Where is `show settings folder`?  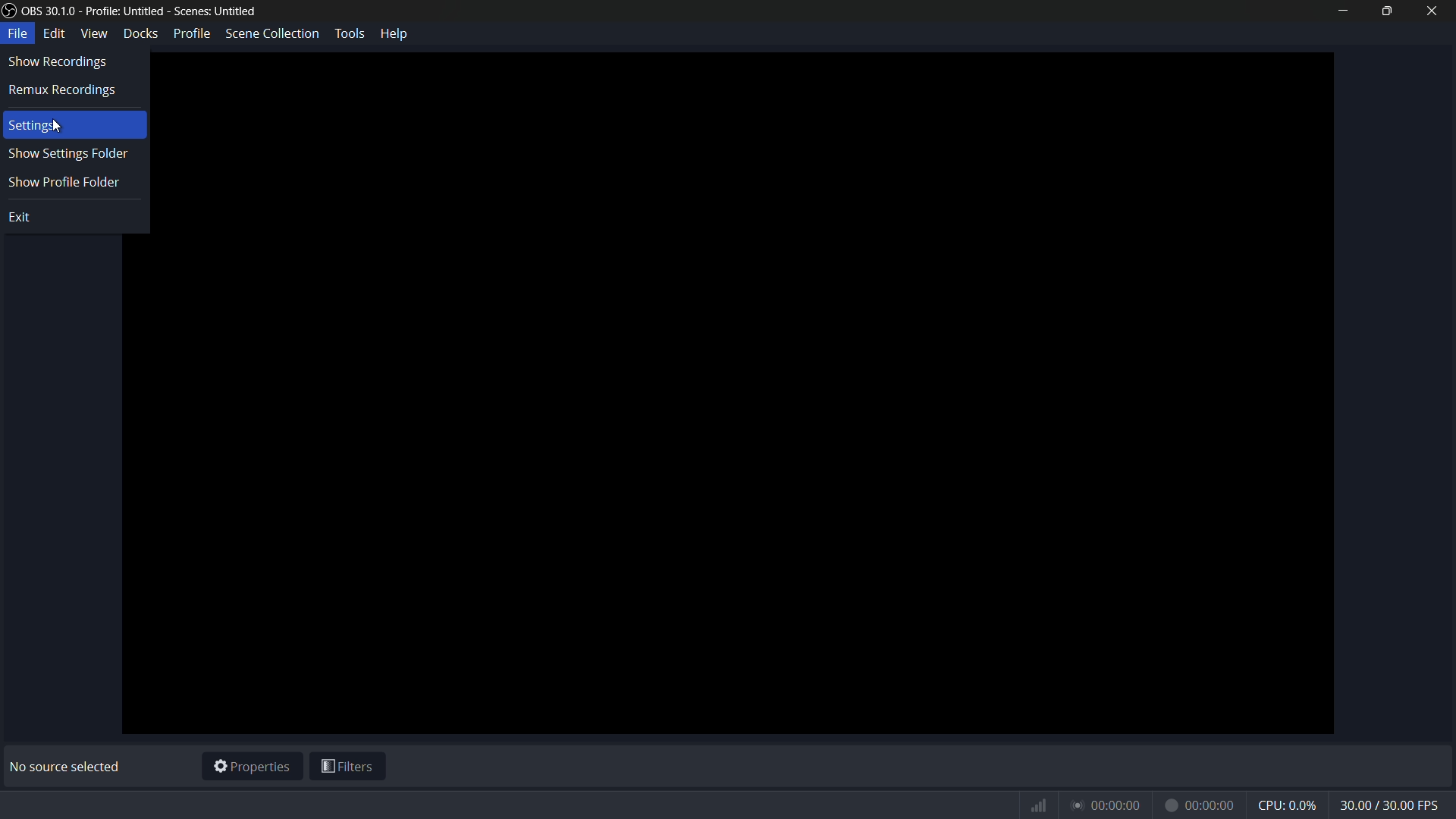 show settings folder is located at coordinates (66, 155).